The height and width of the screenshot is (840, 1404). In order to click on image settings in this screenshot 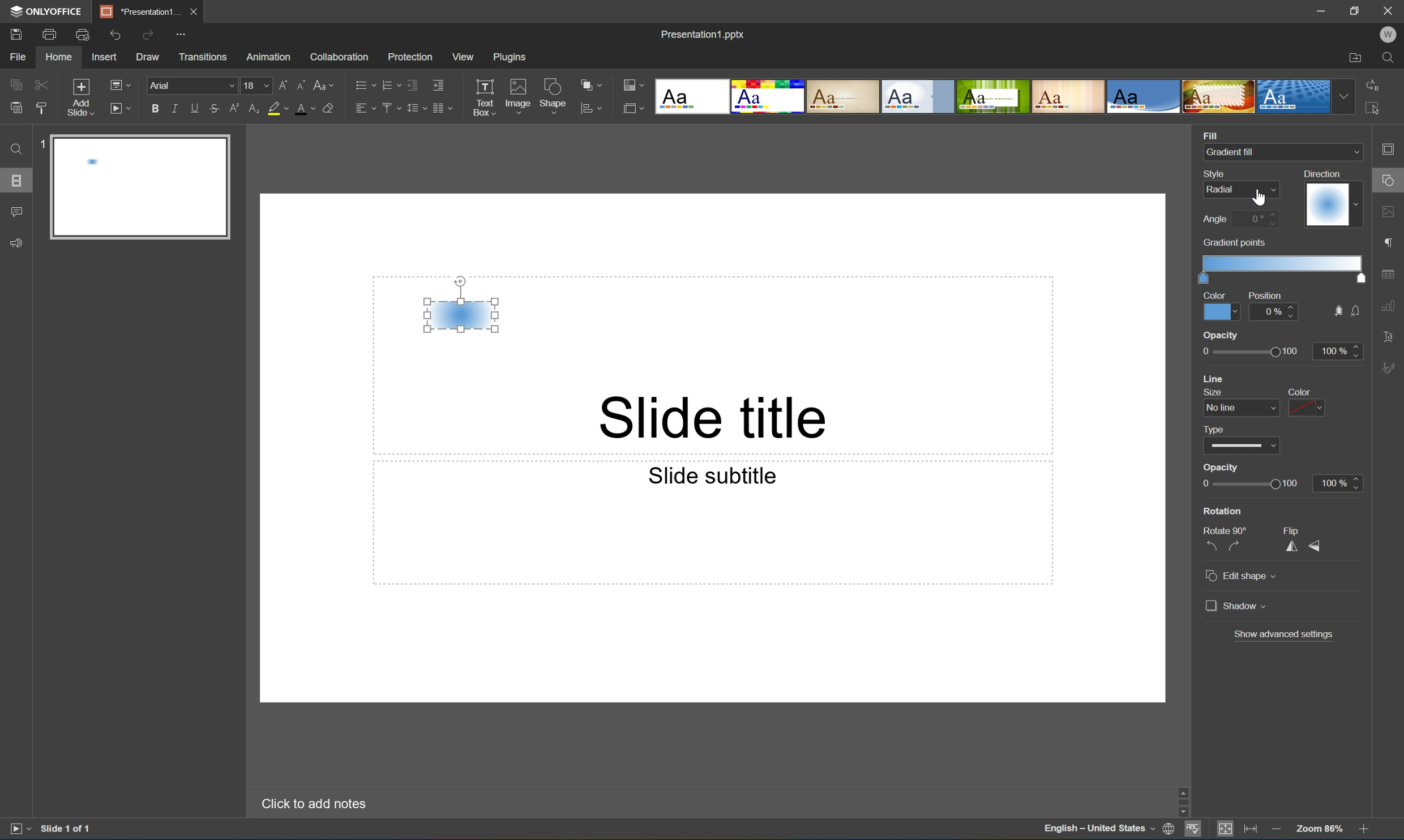, I will do `click(1390, 214)`.